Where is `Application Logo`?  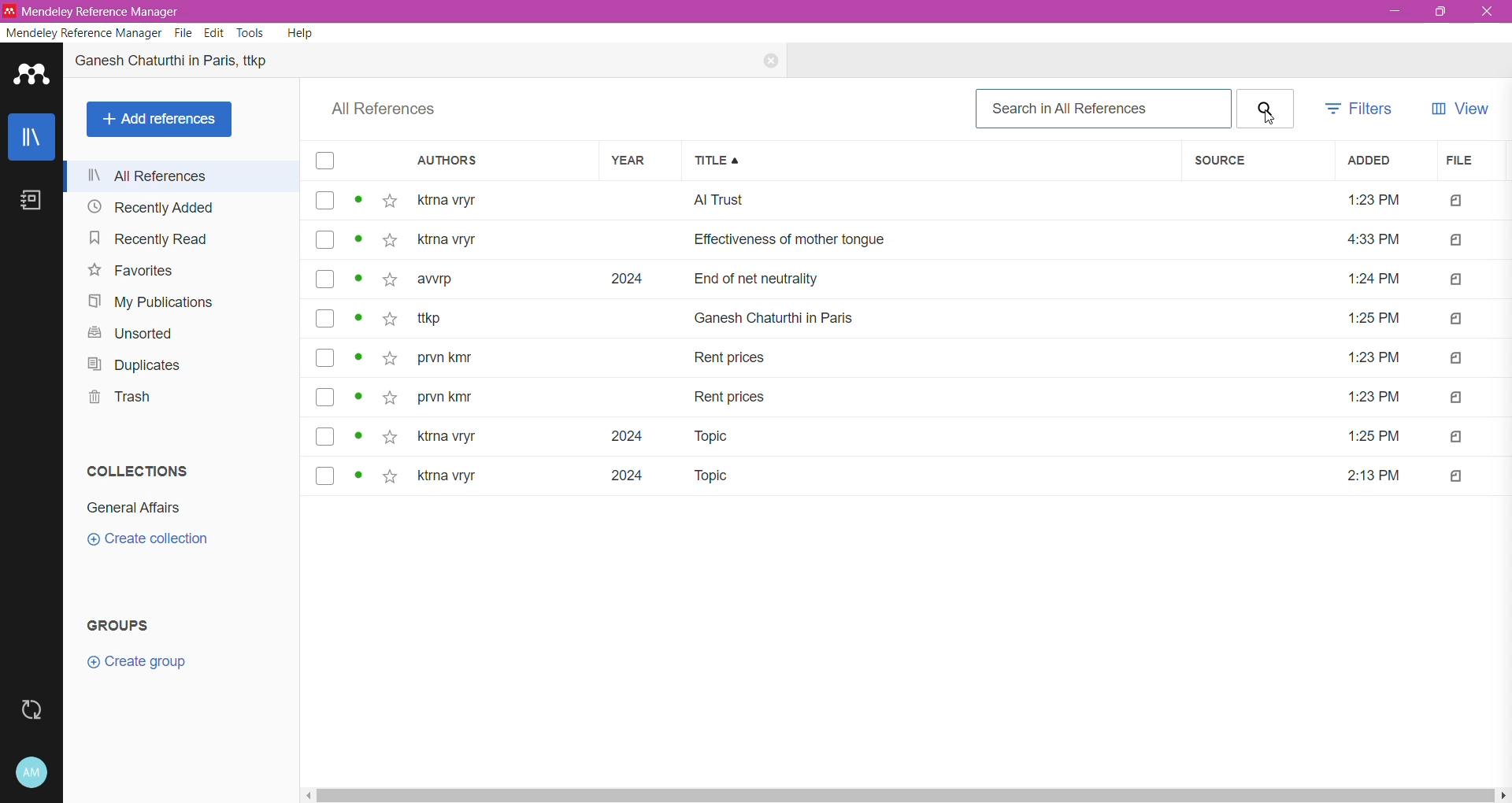
Application Logo is located at coordinates (31, 77).